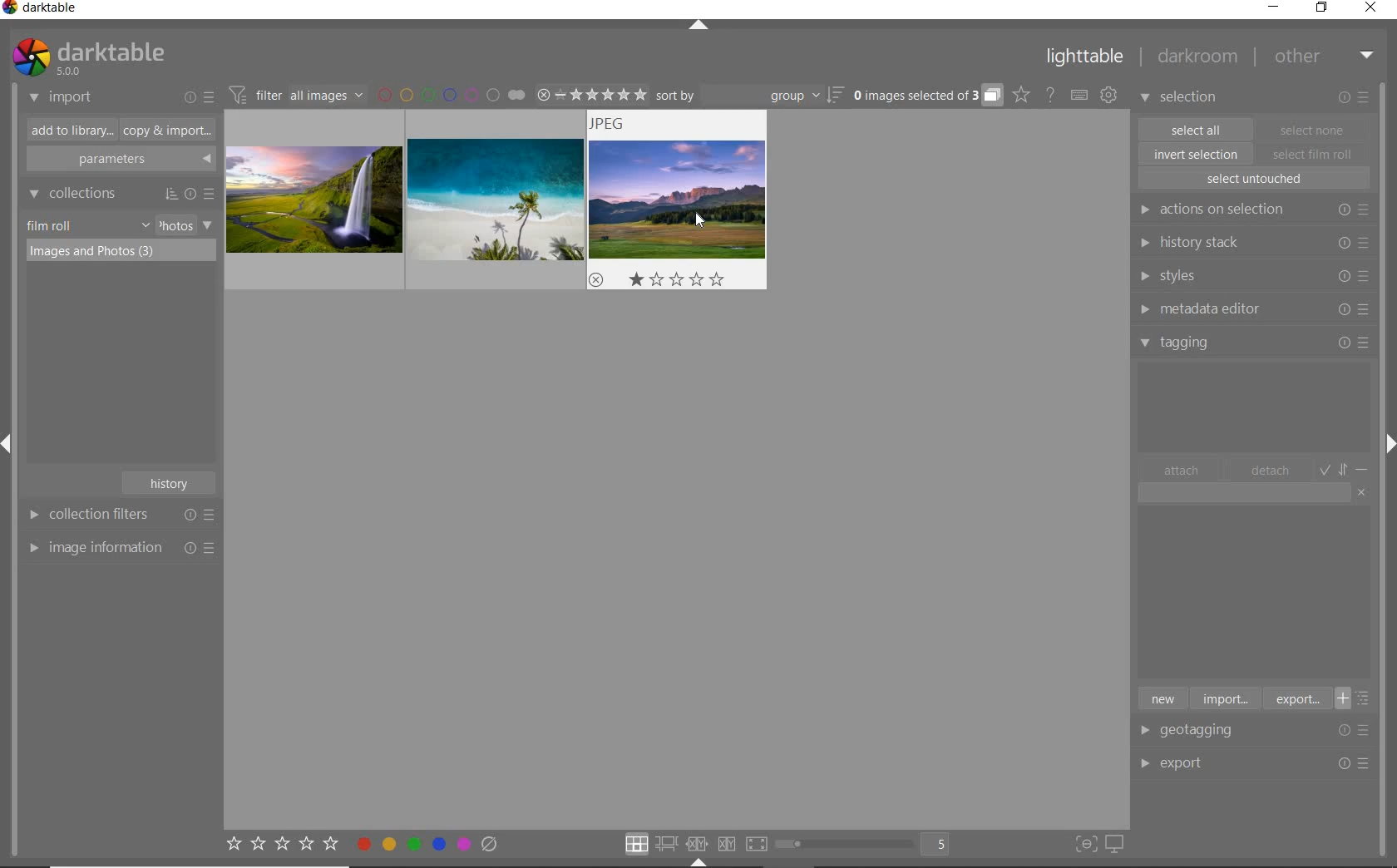 Image resolution: width=1397 pixels, height=868 pixels. What do you see at coordinates (700, 218) in the screenshot?
I see `cursor` at bounding box center [700, 218].